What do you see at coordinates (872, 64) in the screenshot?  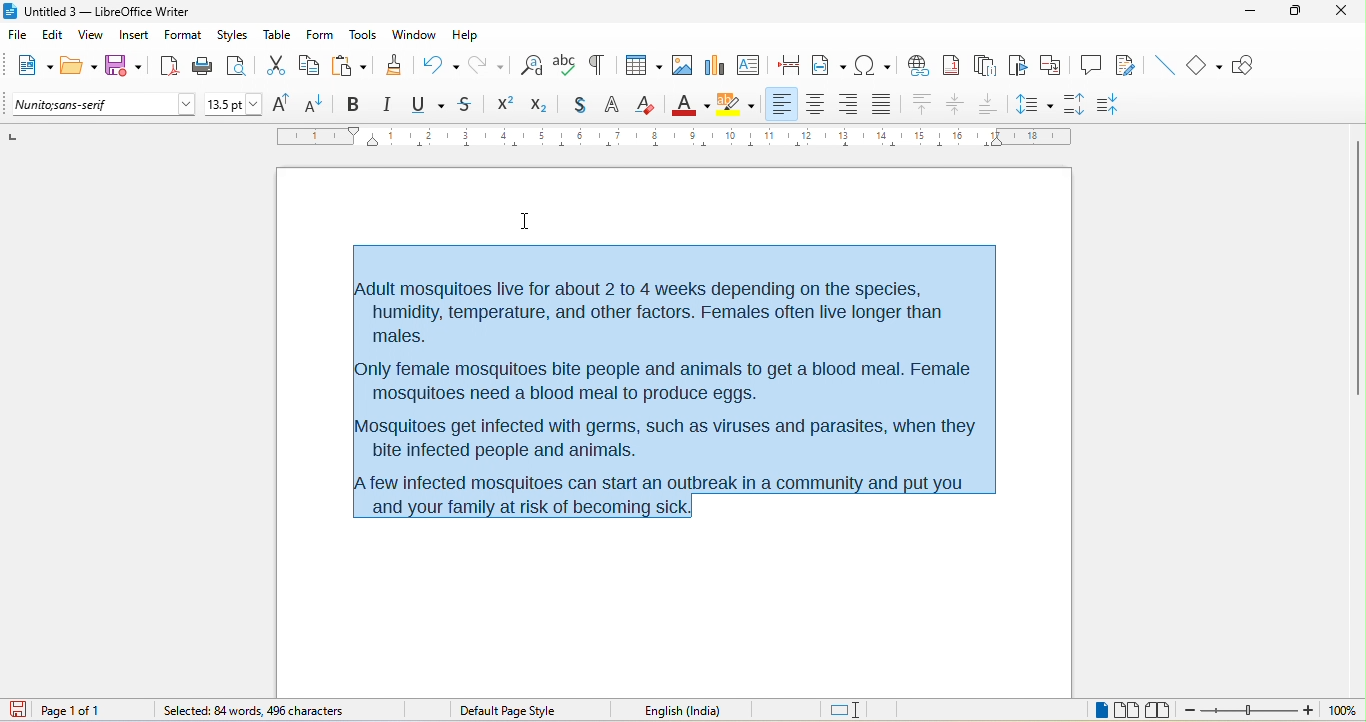 I see `special character` at bounding box center [872, 64].